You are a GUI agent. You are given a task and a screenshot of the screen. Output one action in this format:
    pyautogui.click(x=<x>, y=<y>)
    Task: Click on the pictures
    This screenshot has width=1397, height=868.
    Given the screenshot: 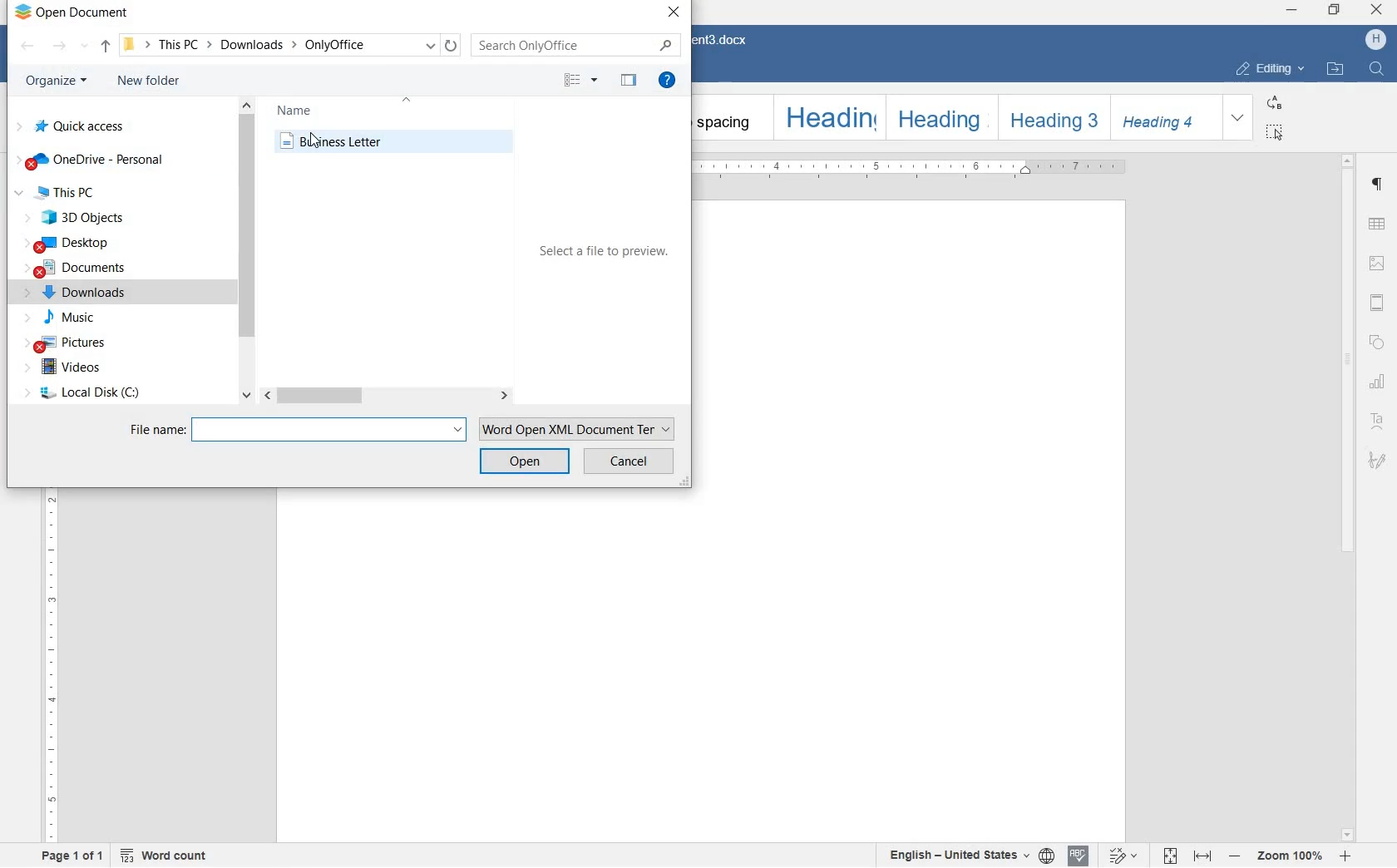 What is the action you would take?
    pyautogui.click(x=68, y=342)
    